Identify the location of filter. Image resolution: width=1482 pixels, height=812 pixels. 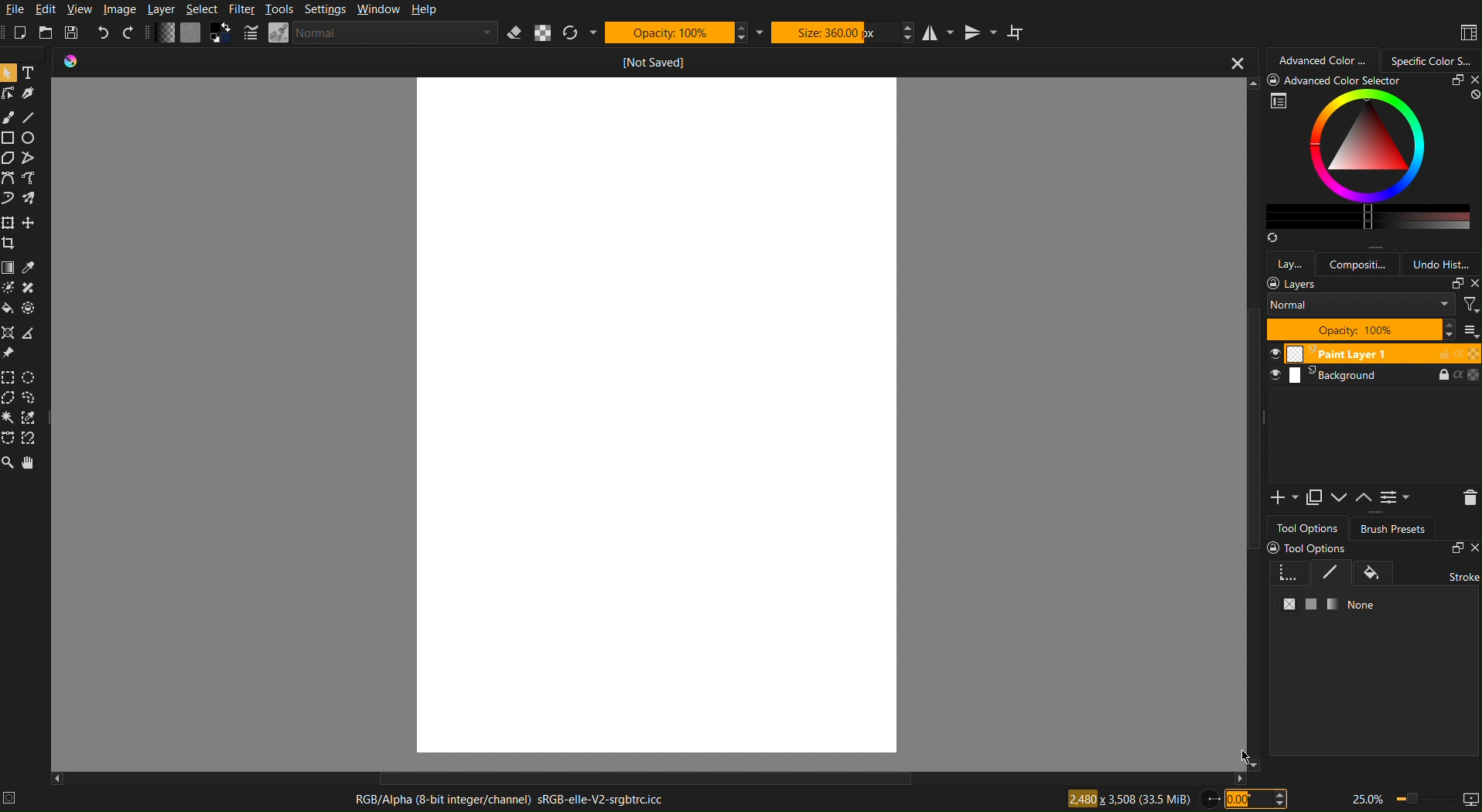
(1470, 304).